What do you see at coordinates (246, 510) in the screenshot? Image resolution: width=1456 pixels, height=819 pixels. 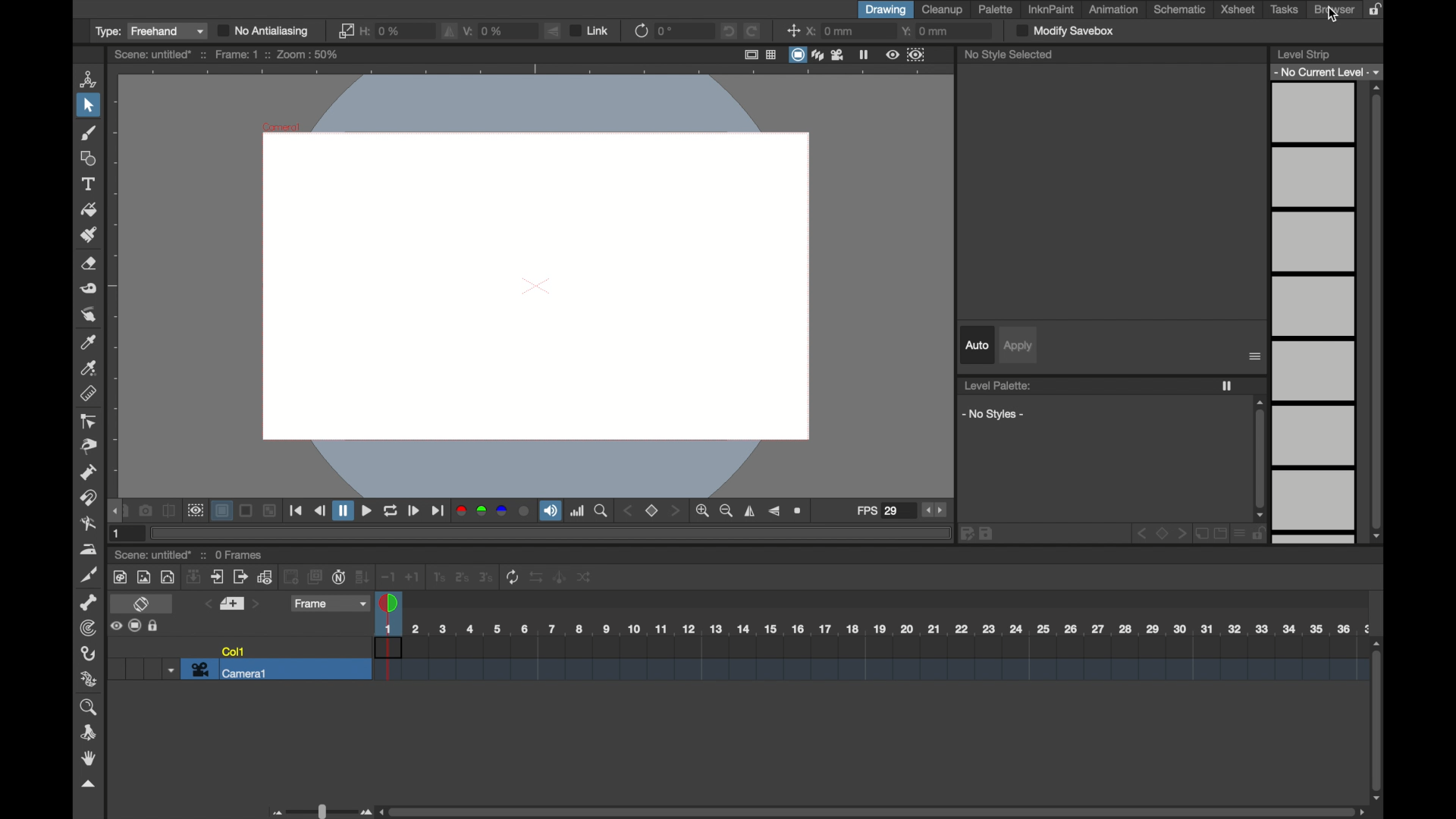 I see `screen` at bounding box center [246, 510].